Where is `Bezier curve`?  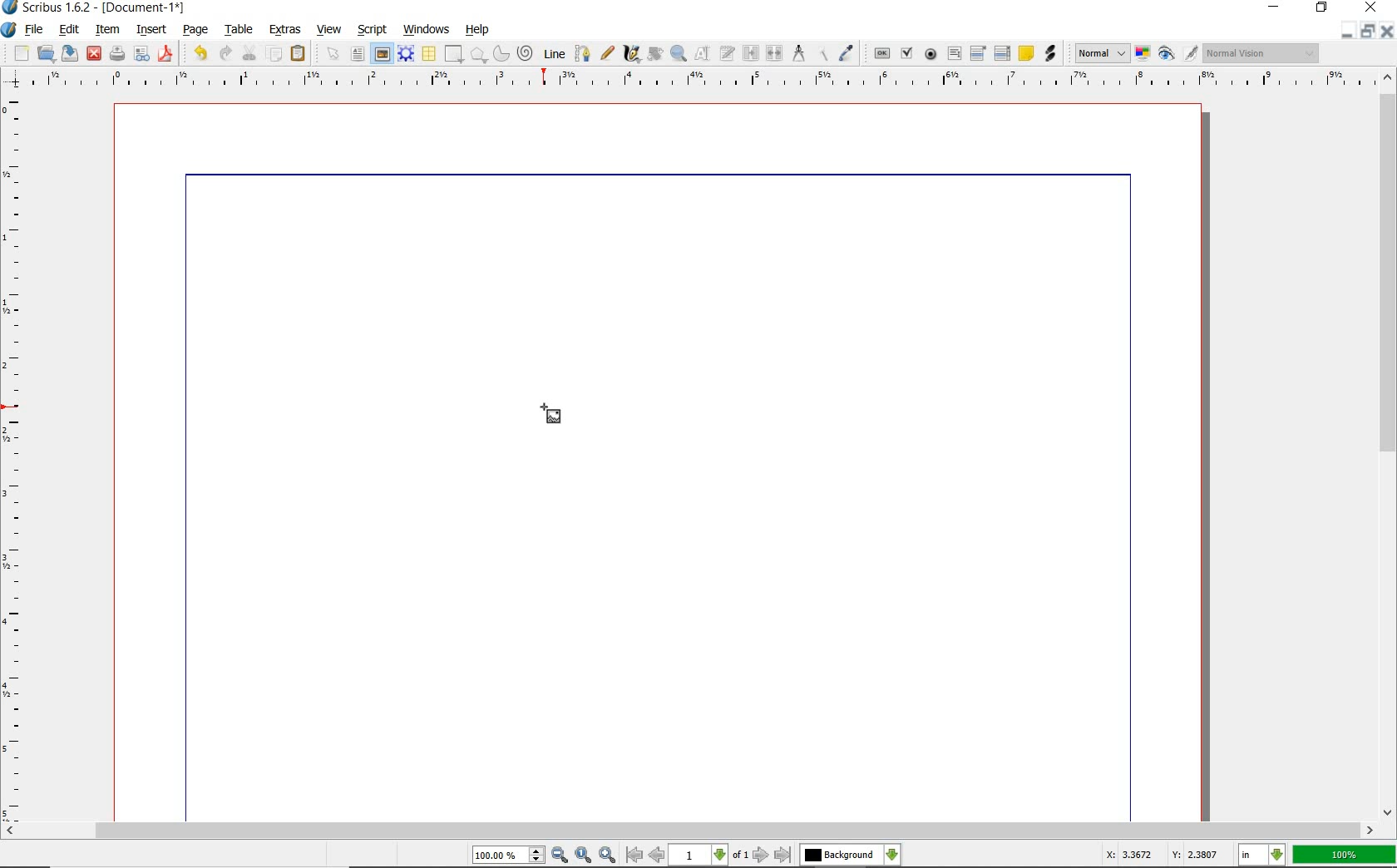 Bezier curve is located at coordinates (583, 52).